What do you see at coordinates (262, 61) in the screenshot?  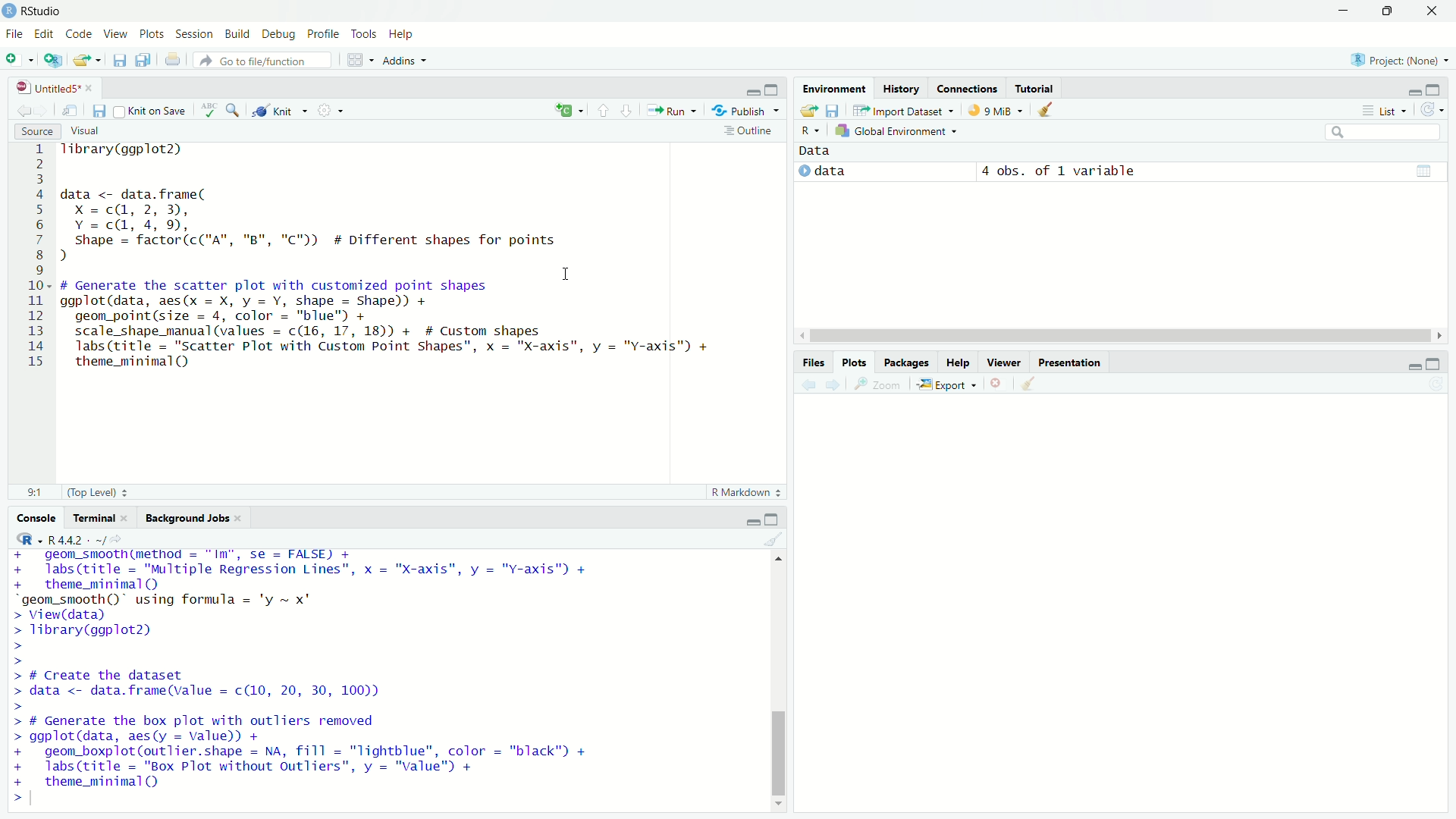 I see `Go to file/function` at bounding box center [262, 61].